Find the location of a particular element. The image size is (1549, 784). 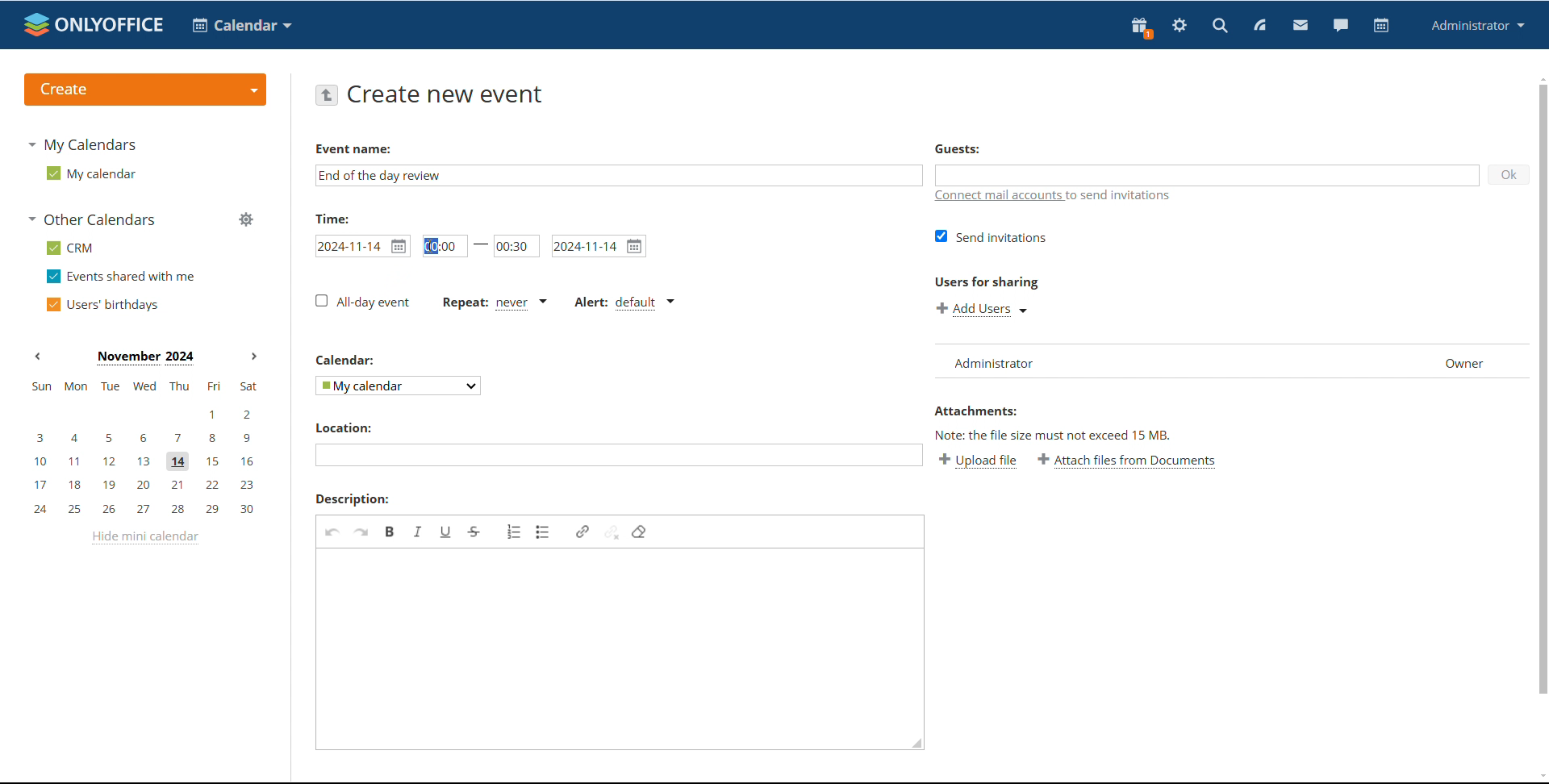

set end time is located at coordinates (516, 246).